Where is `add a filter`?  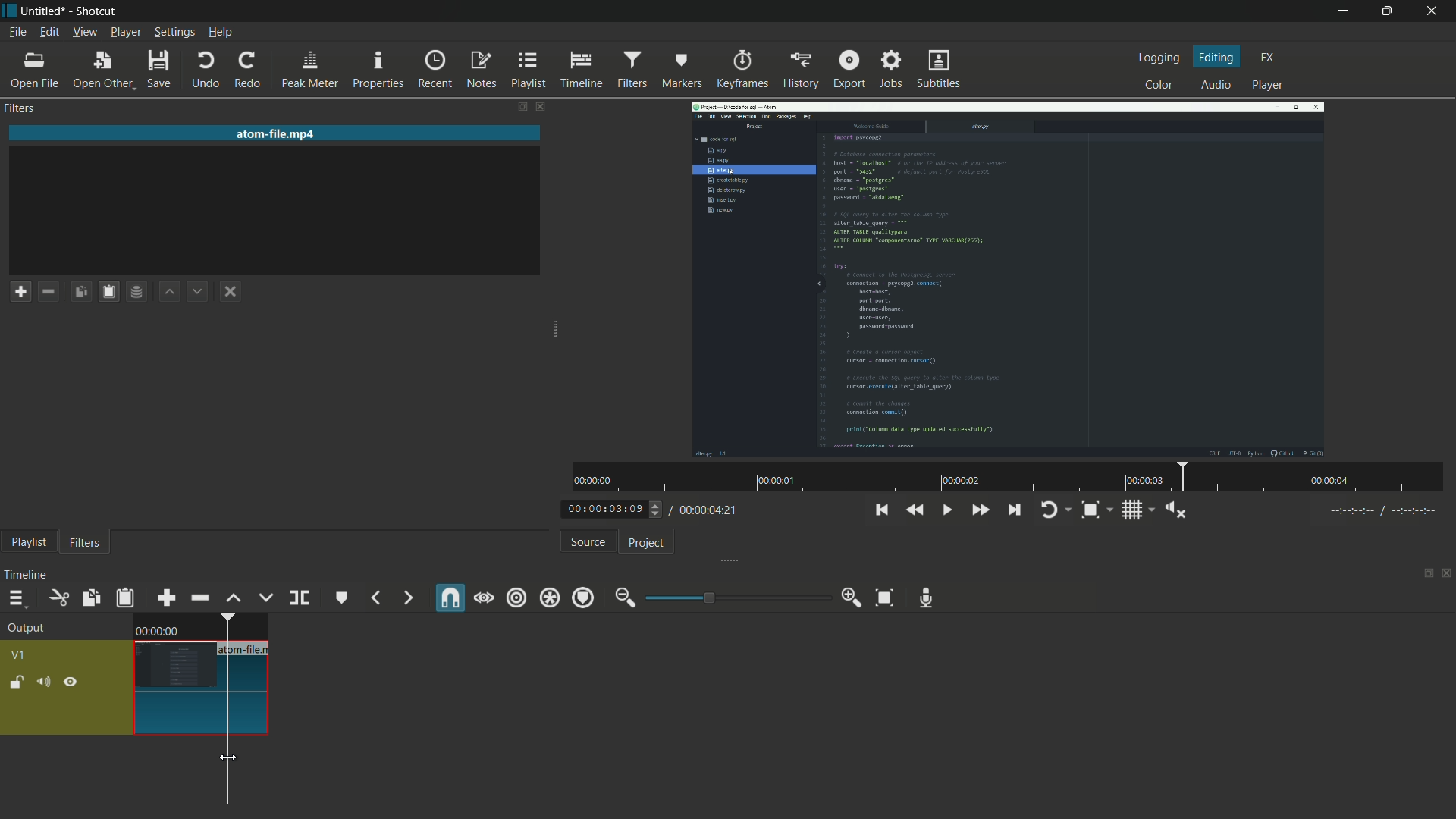 add a filter is located at coordinates (21, 293).